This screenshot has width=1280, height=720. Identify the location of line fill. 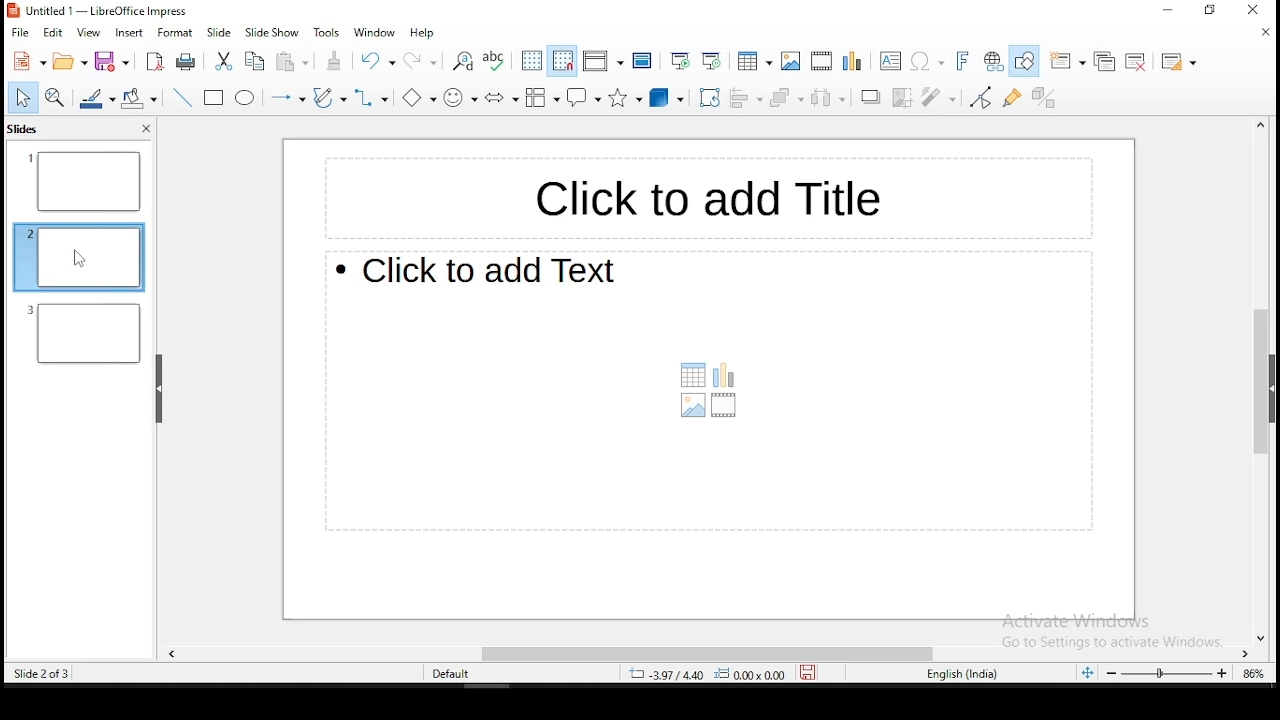
(95, 98).